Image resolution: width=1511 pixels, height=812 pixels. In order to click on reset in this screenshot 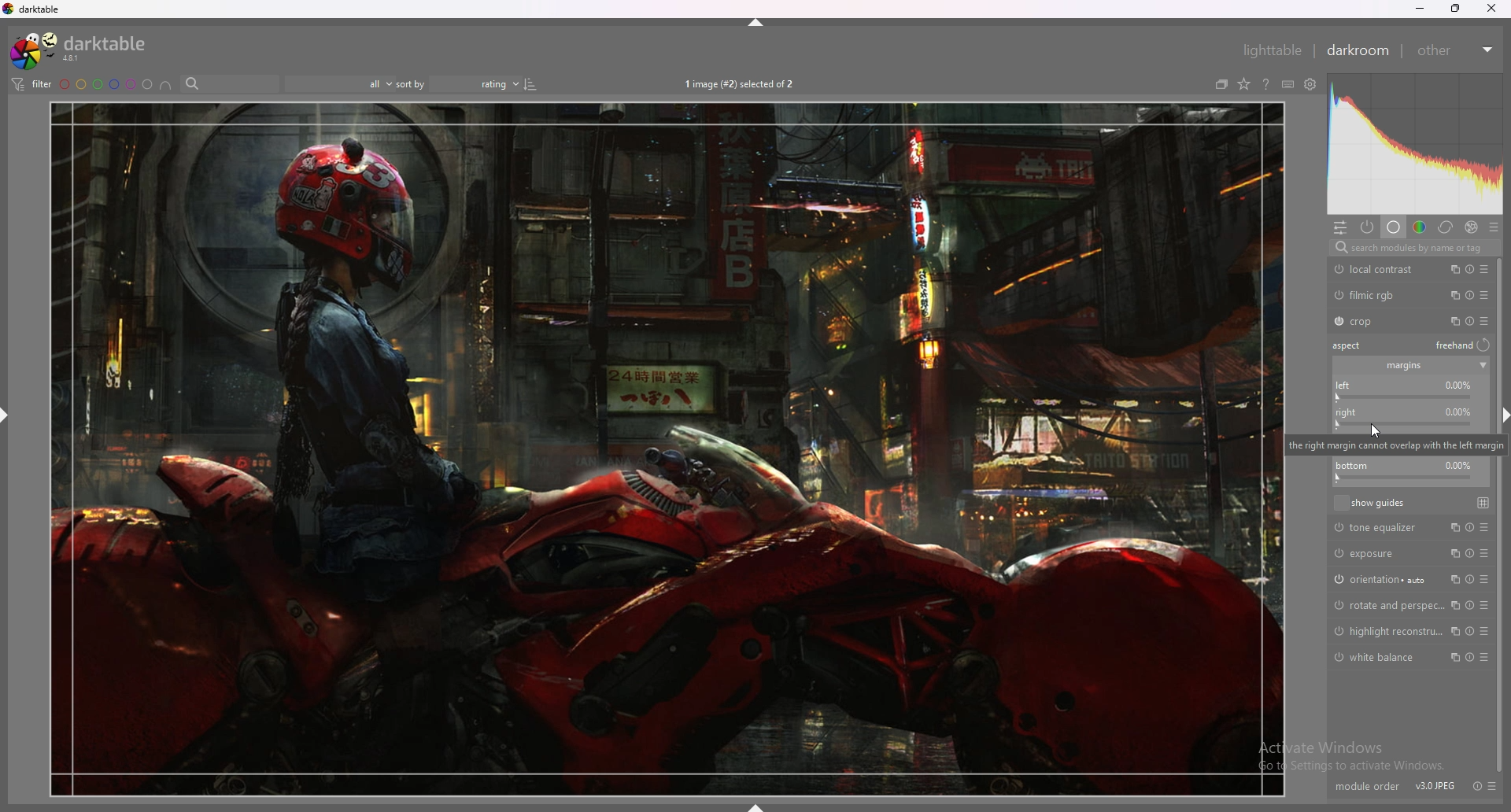, I will do `click(1468, 631)`.